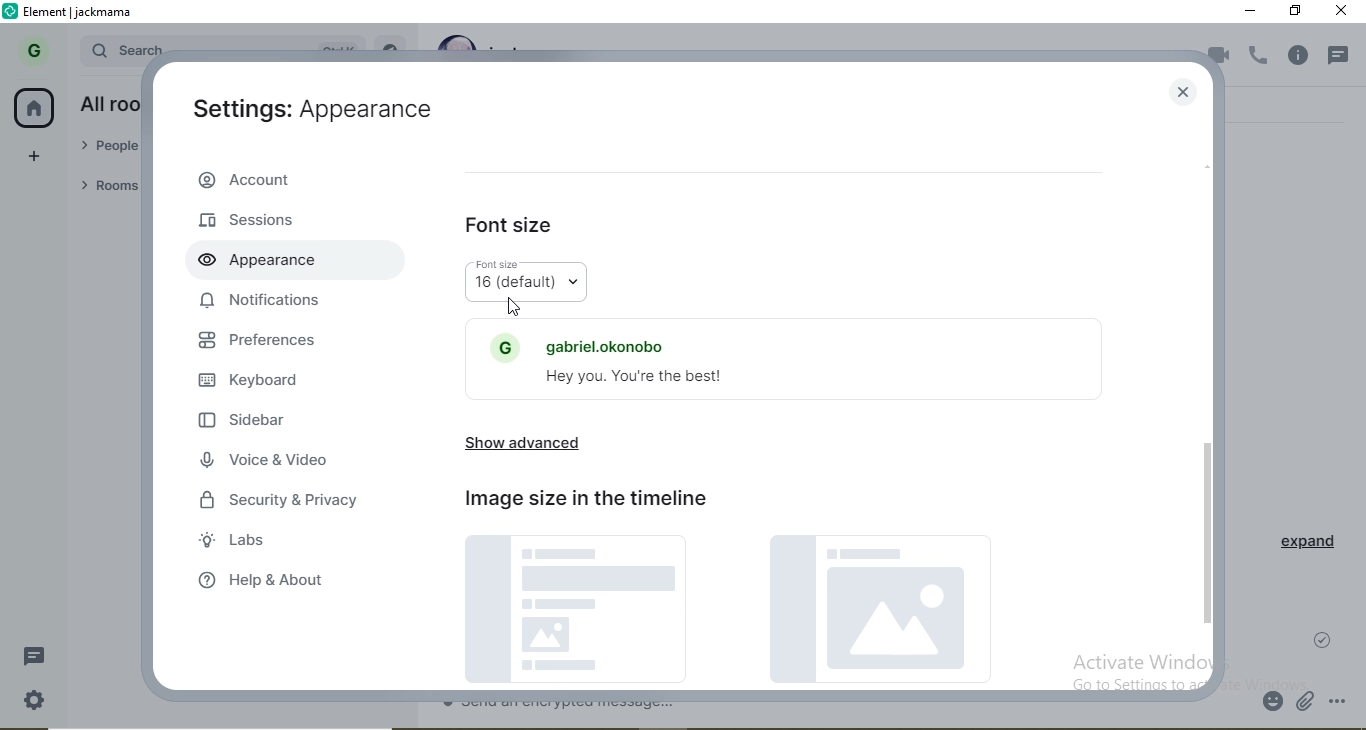  I want to click on security & privacy, so click(286, 496).